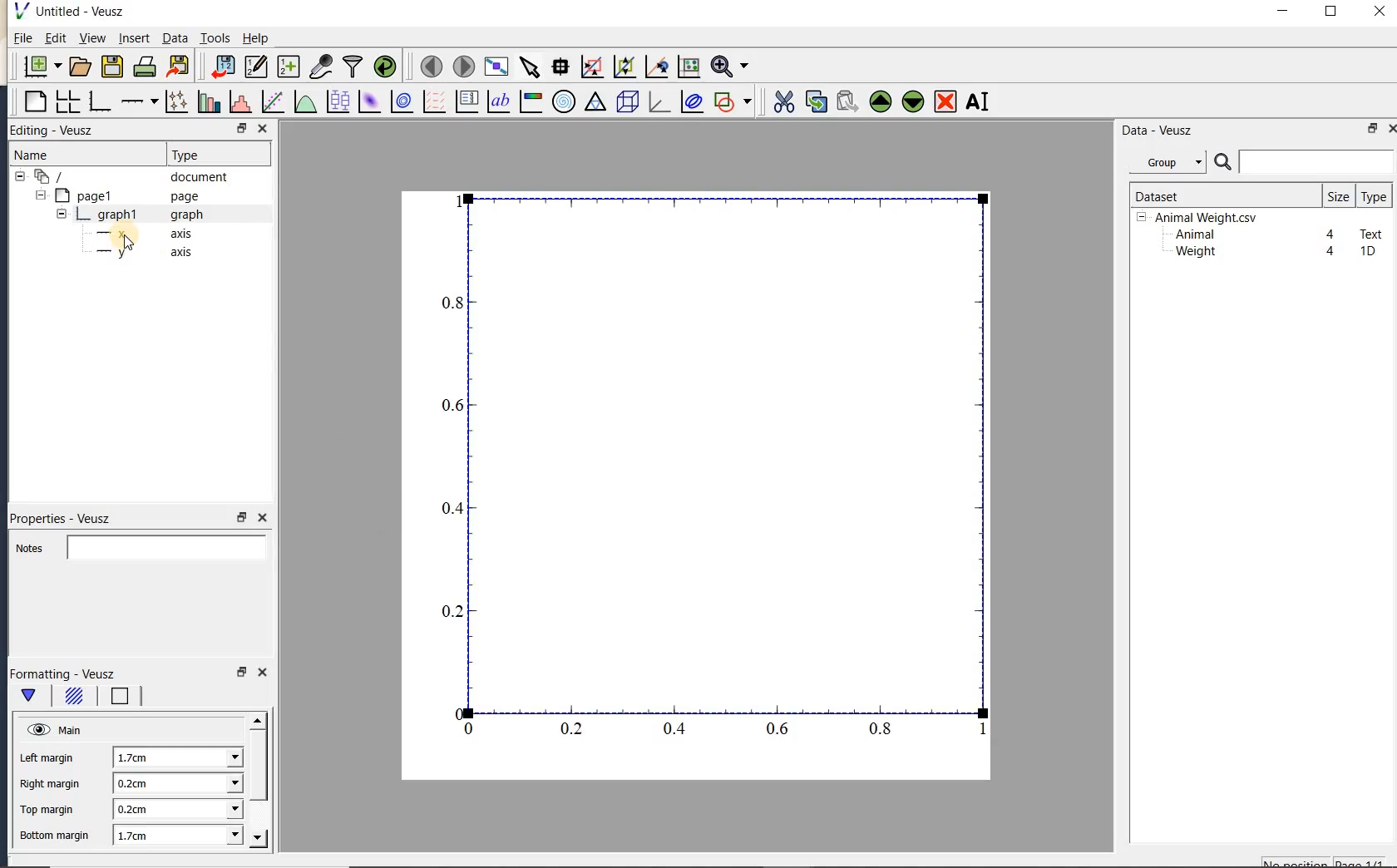  I want to click on 4, so click(1331, 252).